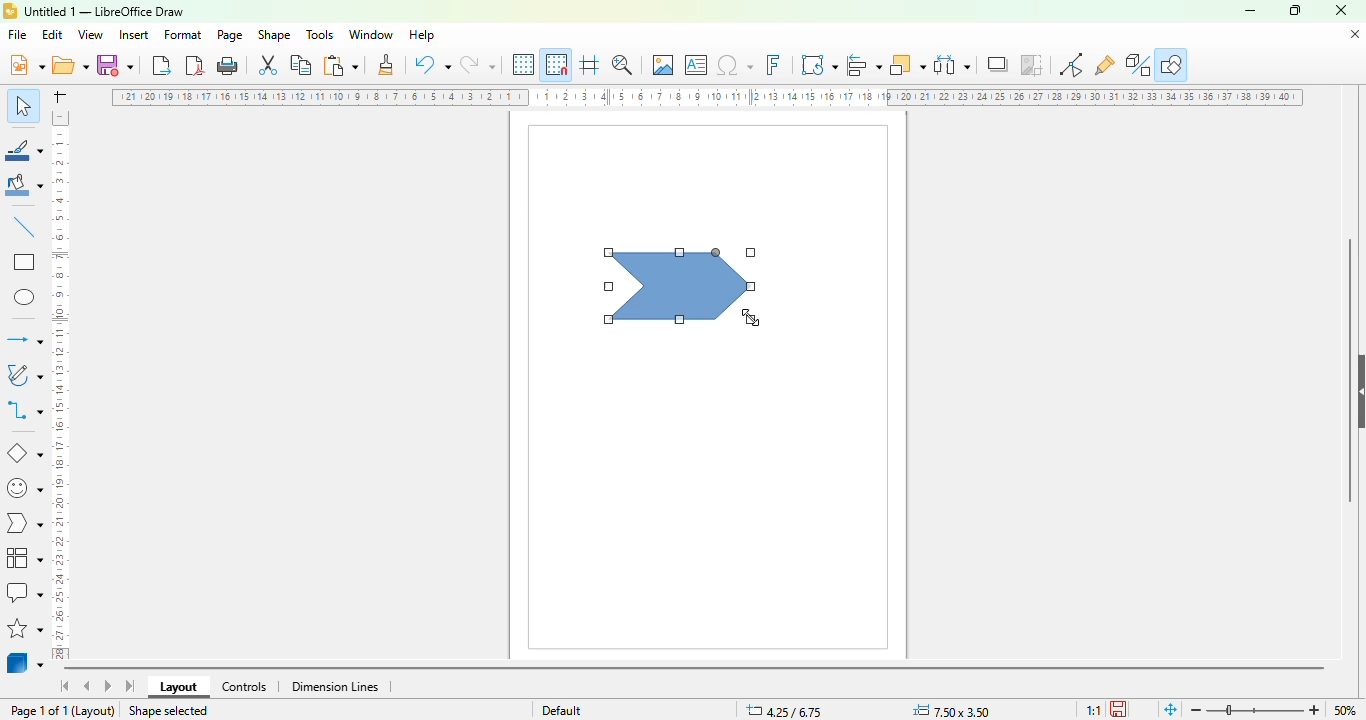  I want to click on arrange, so click(908, 65).